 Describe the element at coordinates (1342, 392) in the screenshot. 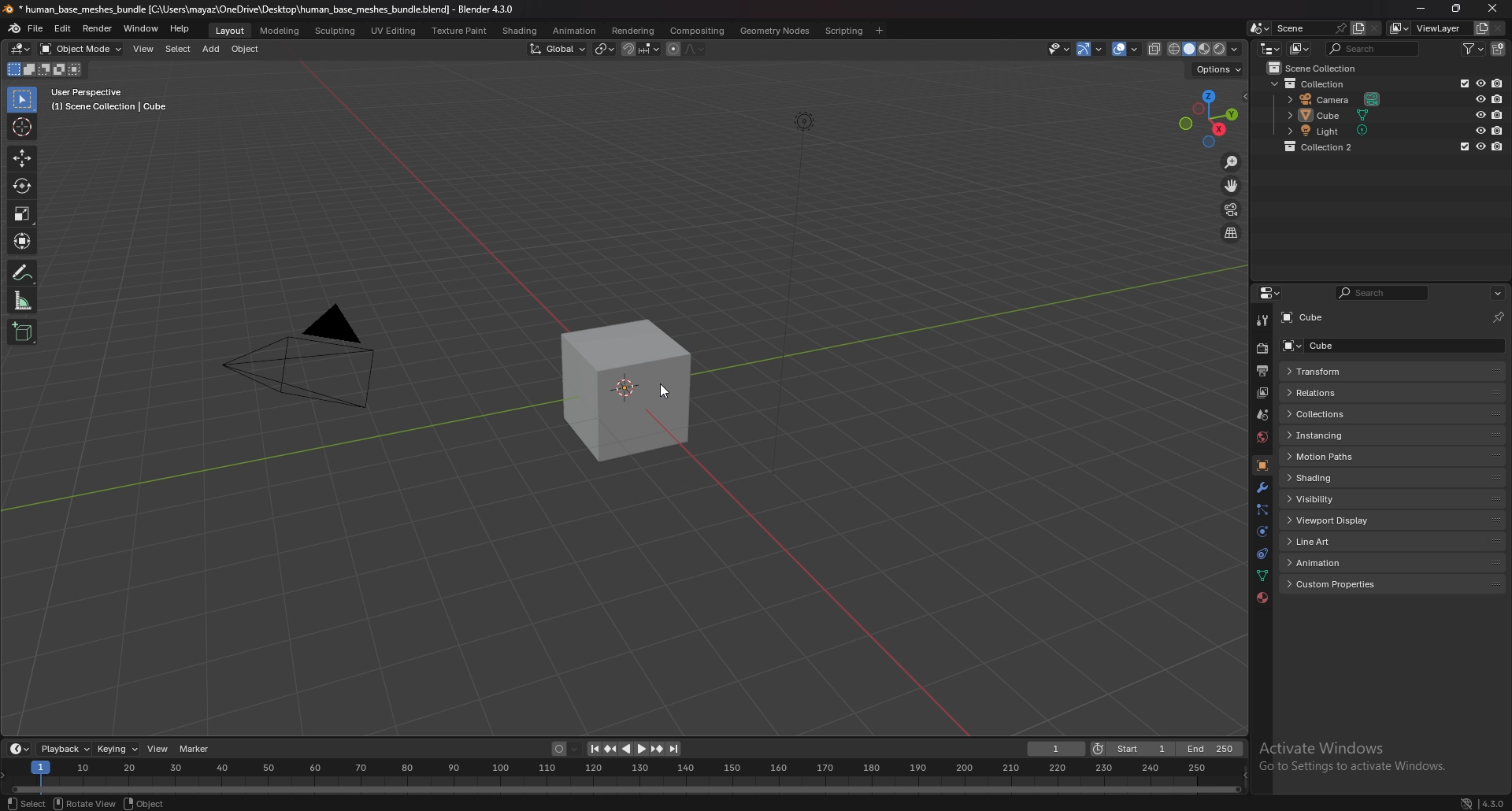

I see `relations` at that location.